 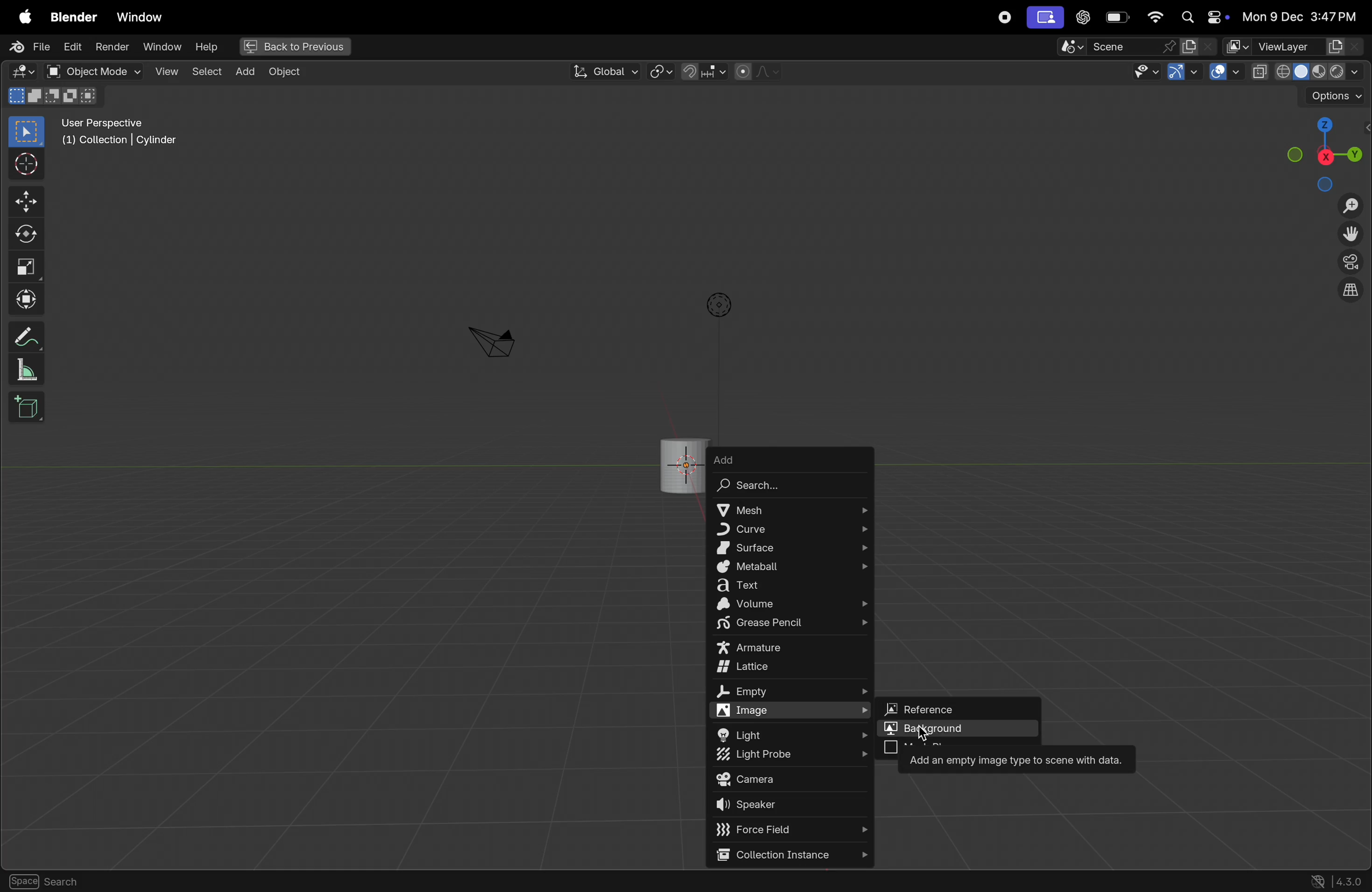 What do you see at coordinates (26, 267) in the screenshot?
I see `scale` at bounding box center [26, 267].